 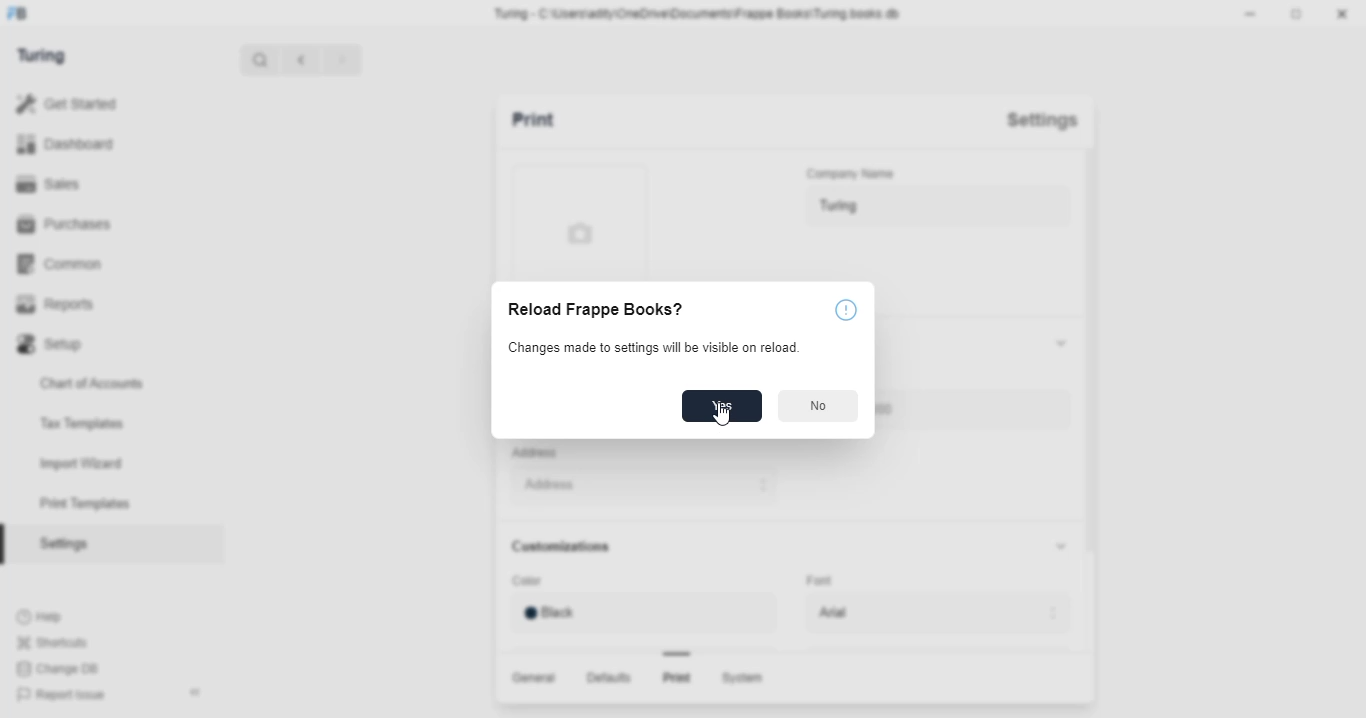 What do you see at coordinates (745, 680) in the screenshot?
I see `System` at bounding box center [745, 680].